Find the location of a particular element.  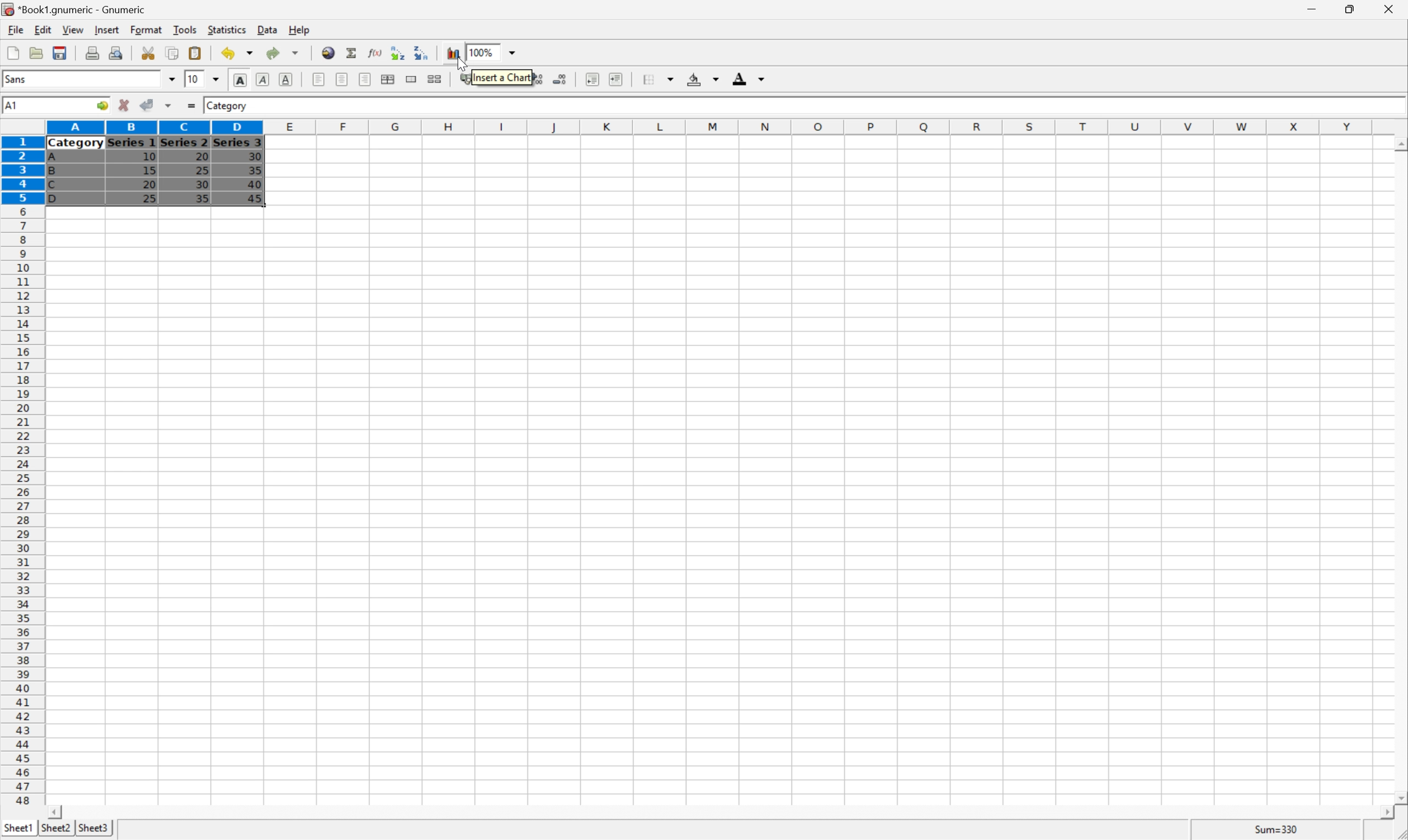

Series 3 is located at coordinates (238, 142).